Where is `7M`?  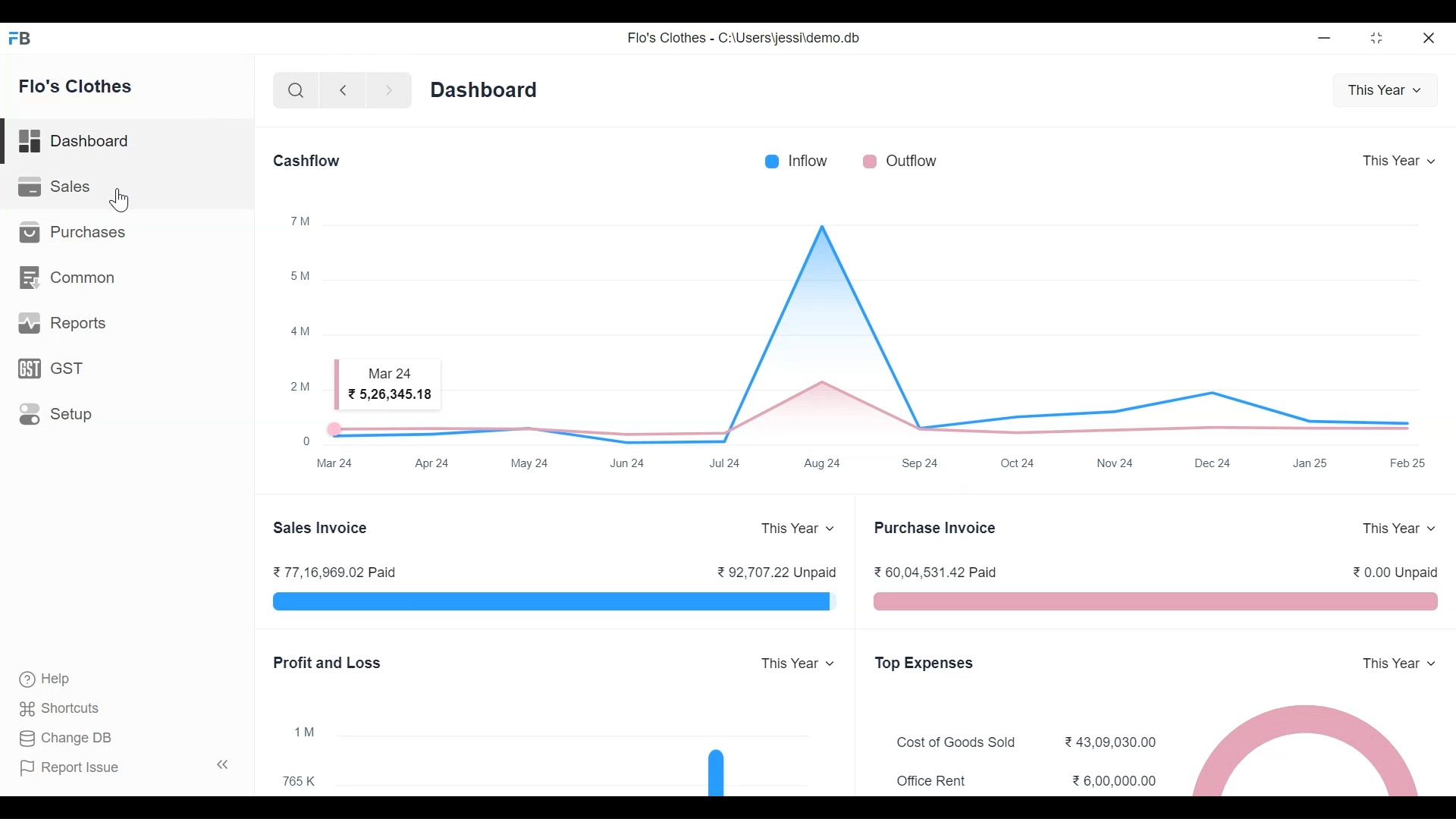
7M is located at coordinates (301, 220).